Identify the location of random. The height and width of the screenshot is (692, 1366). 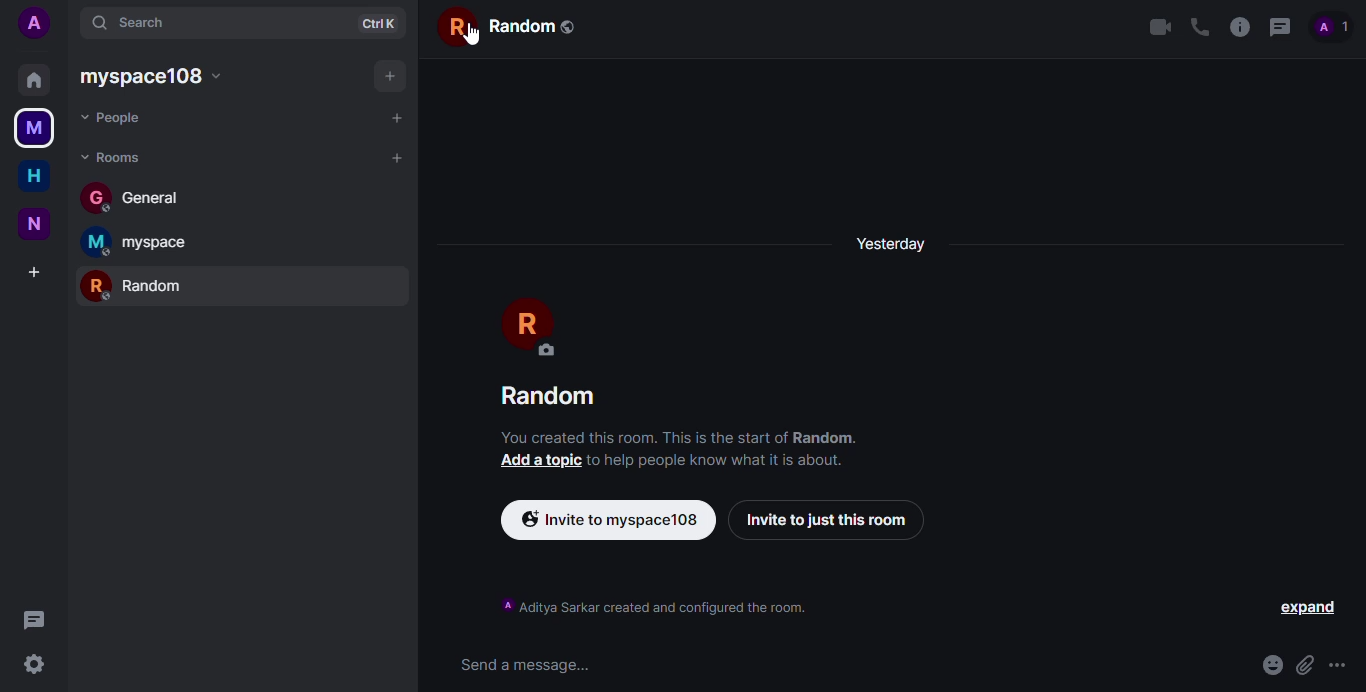
(511, 26).